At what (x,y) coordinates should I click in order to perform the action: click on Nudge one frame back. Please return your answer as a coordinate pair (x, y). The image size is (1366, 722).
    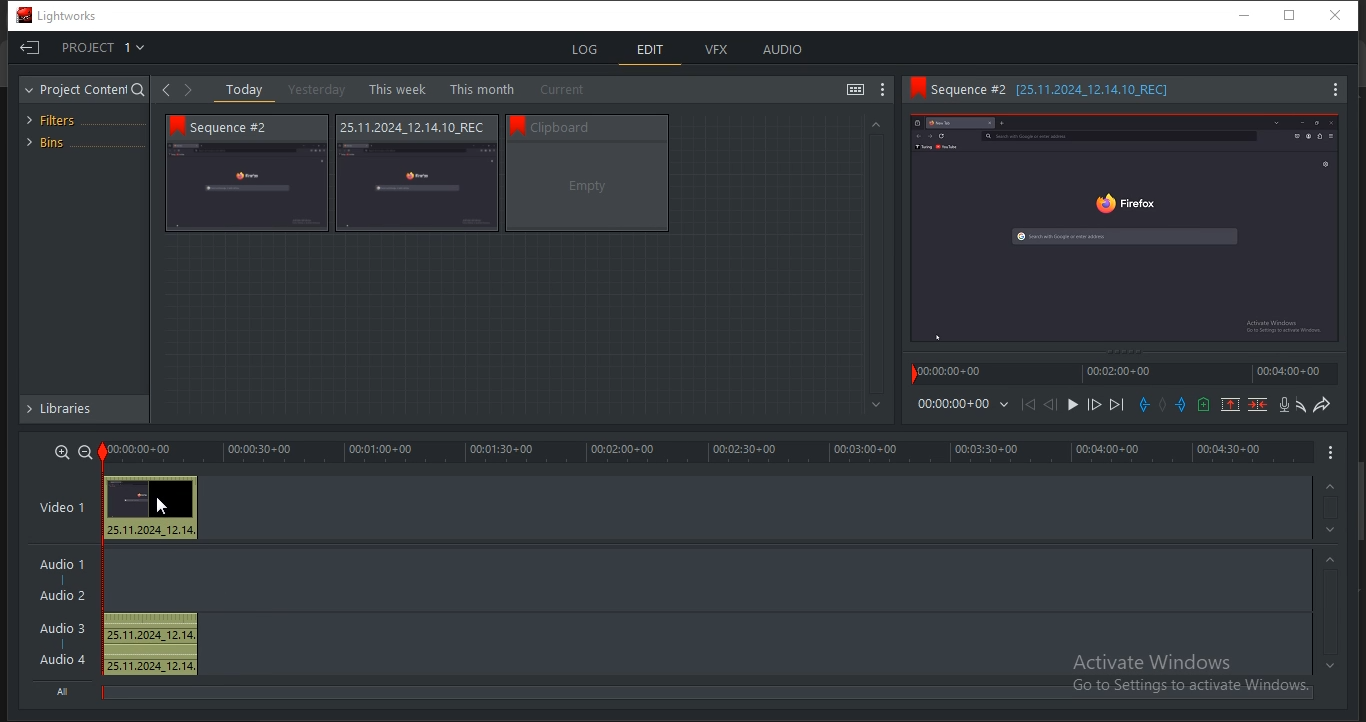
    Looking at the image, I should click on (1051, 405).